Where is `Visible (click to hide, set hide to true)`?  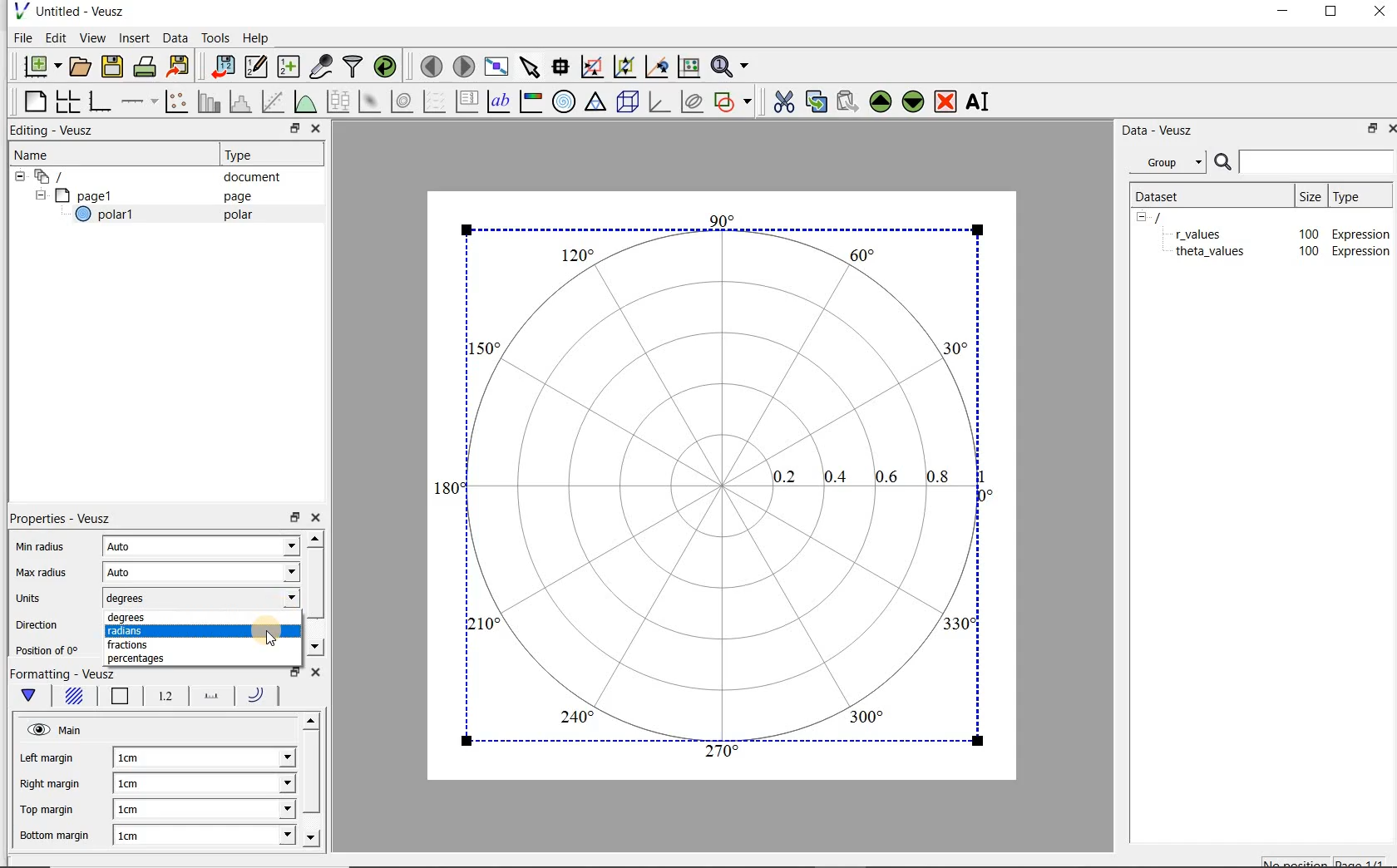
Visible (click to hide, set hide to true) is located at coordinates (37, 726).